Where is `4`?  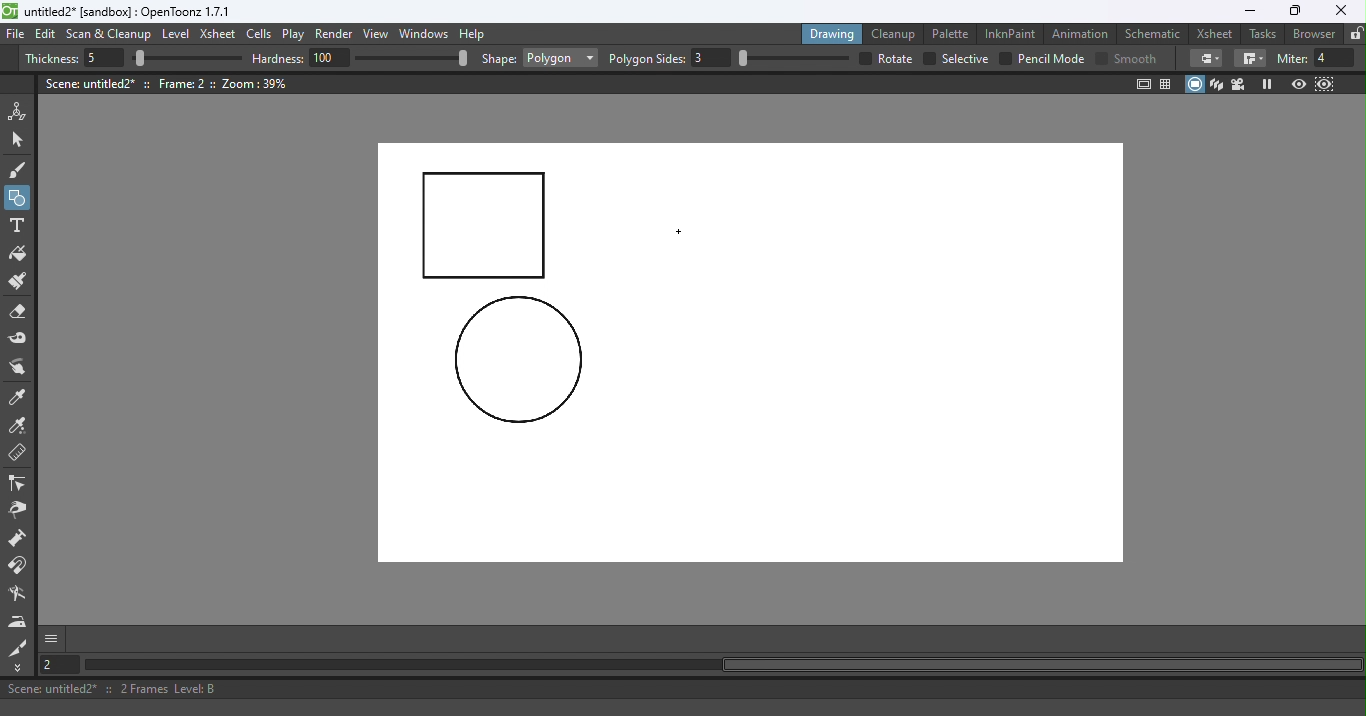
4 is located at coordinates (1335, 58).